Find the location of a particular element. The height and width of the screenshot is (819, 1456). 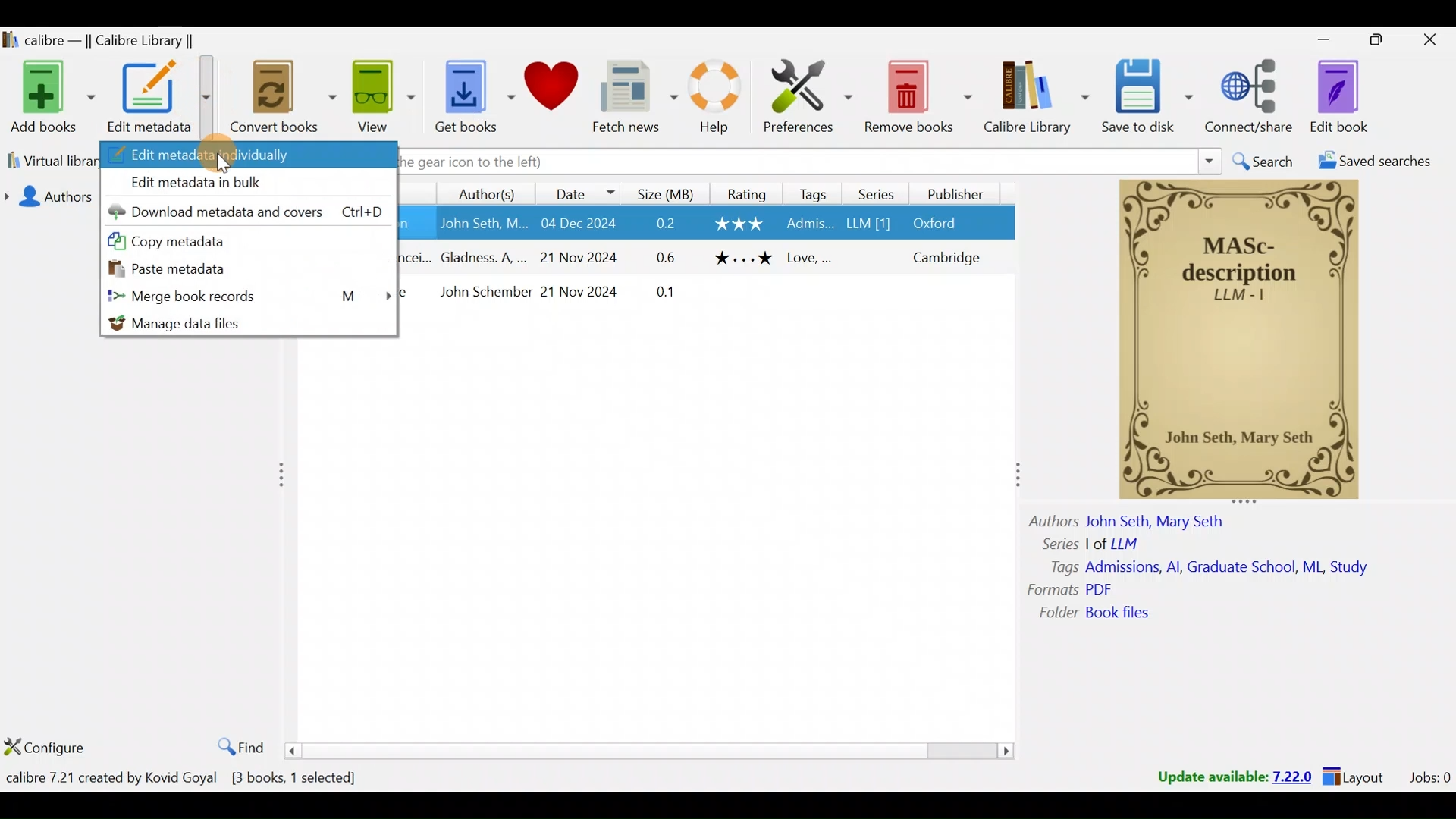

Calibre library is located at coordinates (1039, 101).